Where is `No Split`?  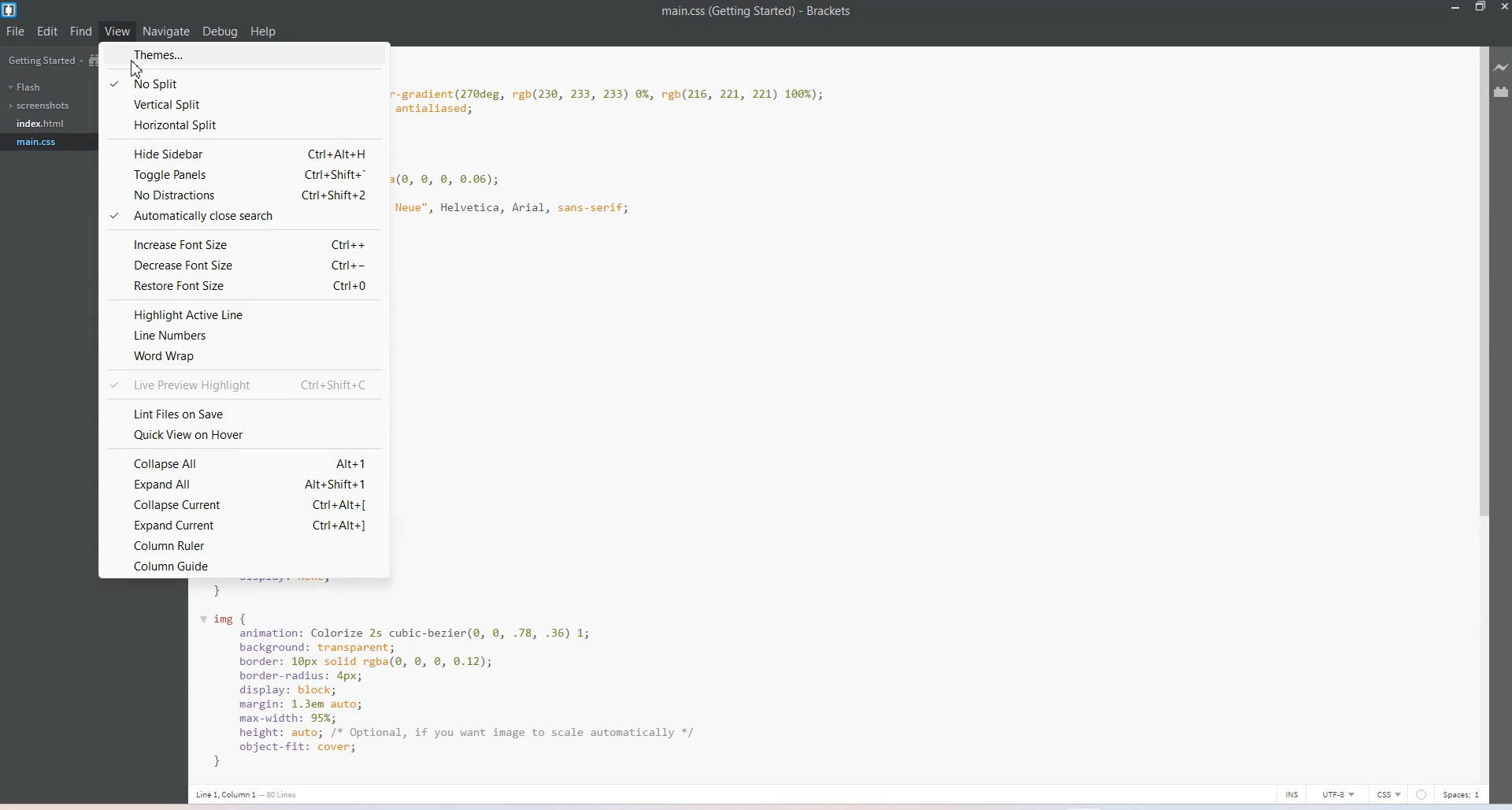 No Split is located at coordinates (242, 83).